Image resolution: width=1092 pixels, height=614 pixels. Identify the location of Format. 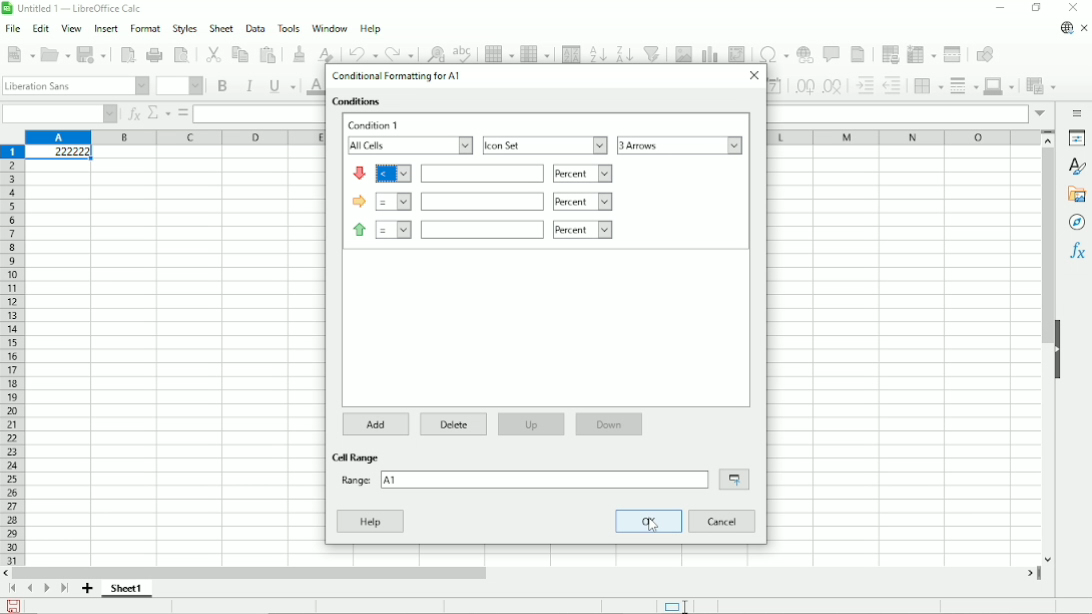
(145, 29).